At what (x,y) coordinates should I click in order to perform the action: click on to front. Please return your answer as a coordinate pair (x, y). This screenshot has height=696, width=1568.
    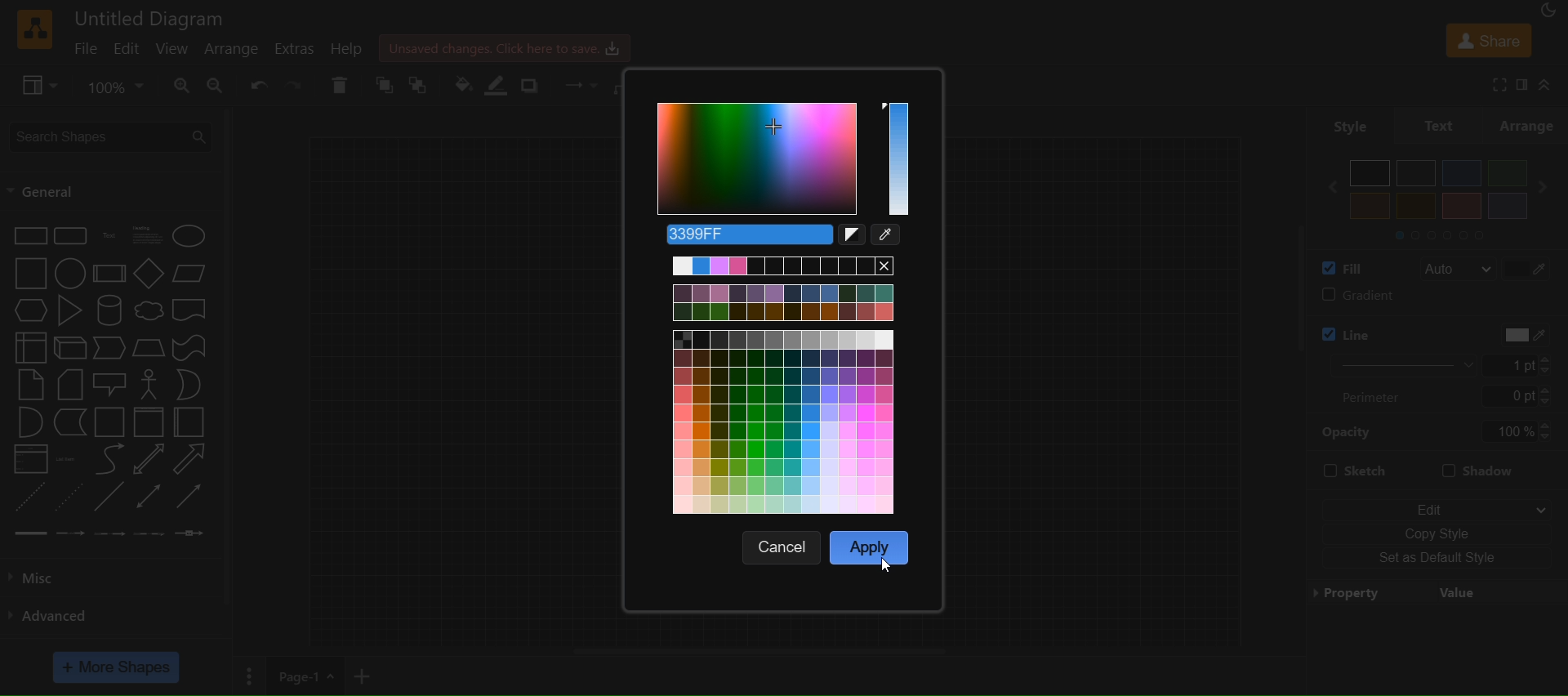
    Looking at the image, I should click on (385, 86).